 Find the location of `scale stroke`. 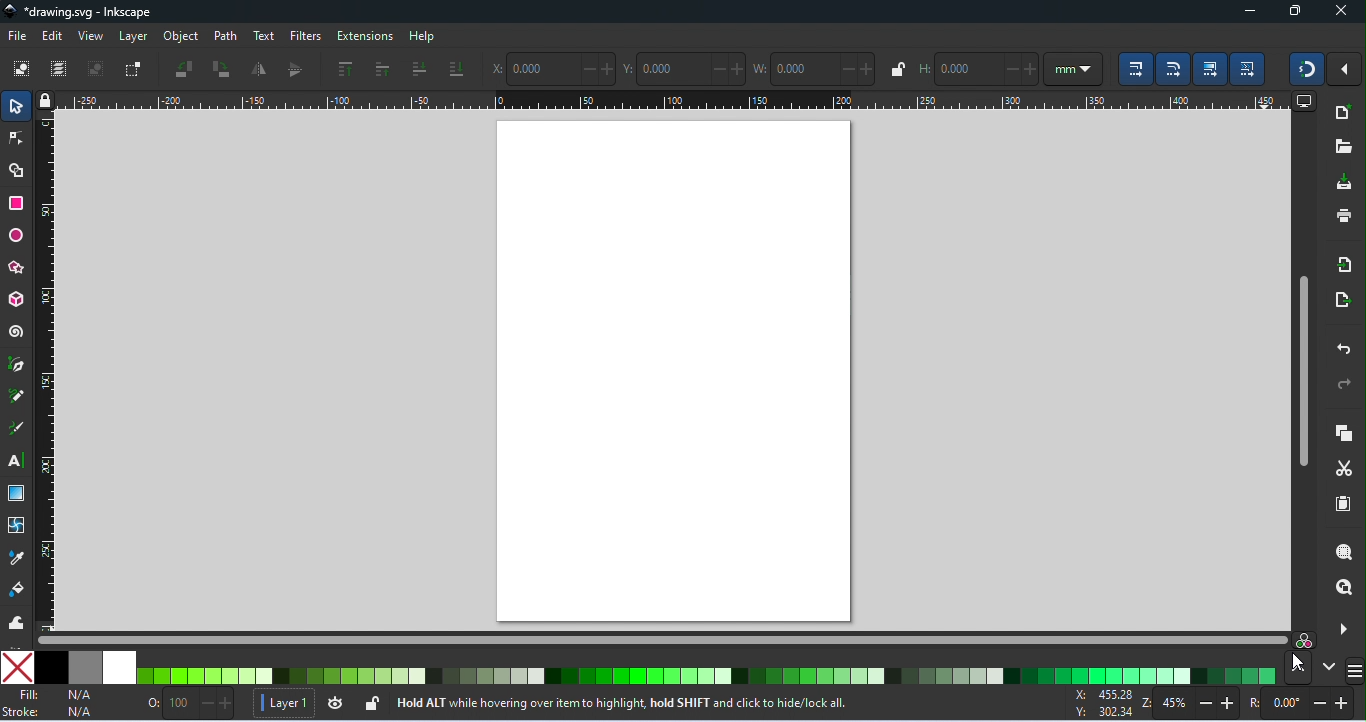

scale stroke is located at coordinates (1132, 69).